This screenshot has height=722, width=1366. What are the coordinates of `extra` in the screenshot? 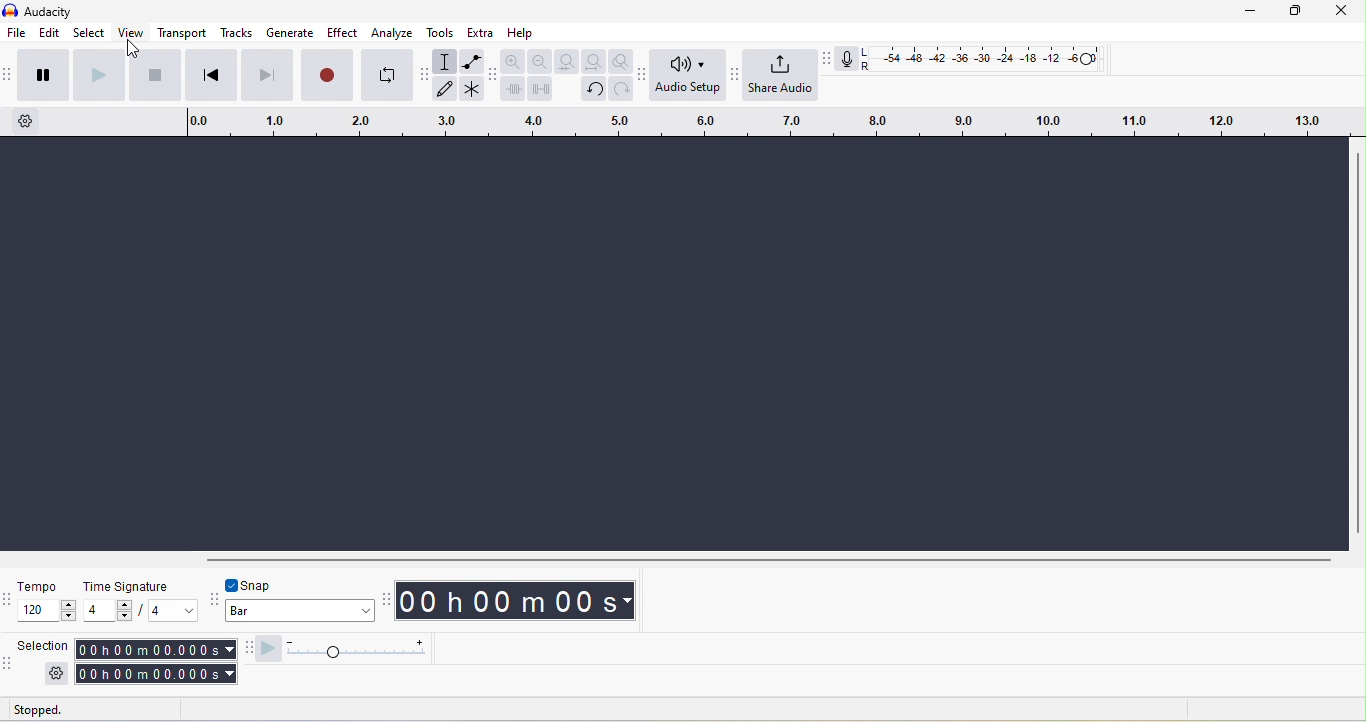 It's located at (480, 32).